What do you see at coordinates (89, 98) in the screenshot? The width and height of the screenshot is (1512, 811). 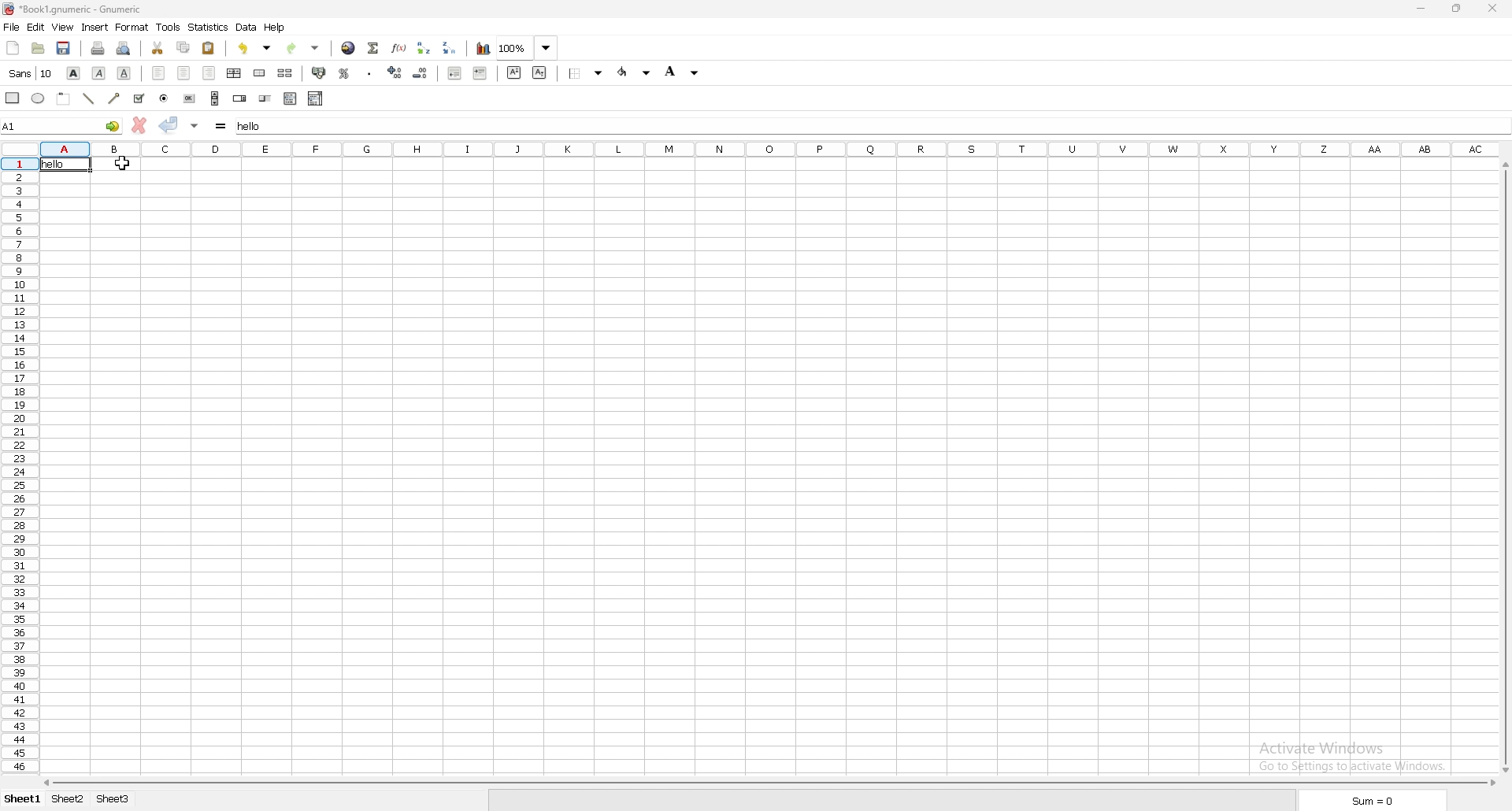 I see `line` at bounding box center [89, 98].